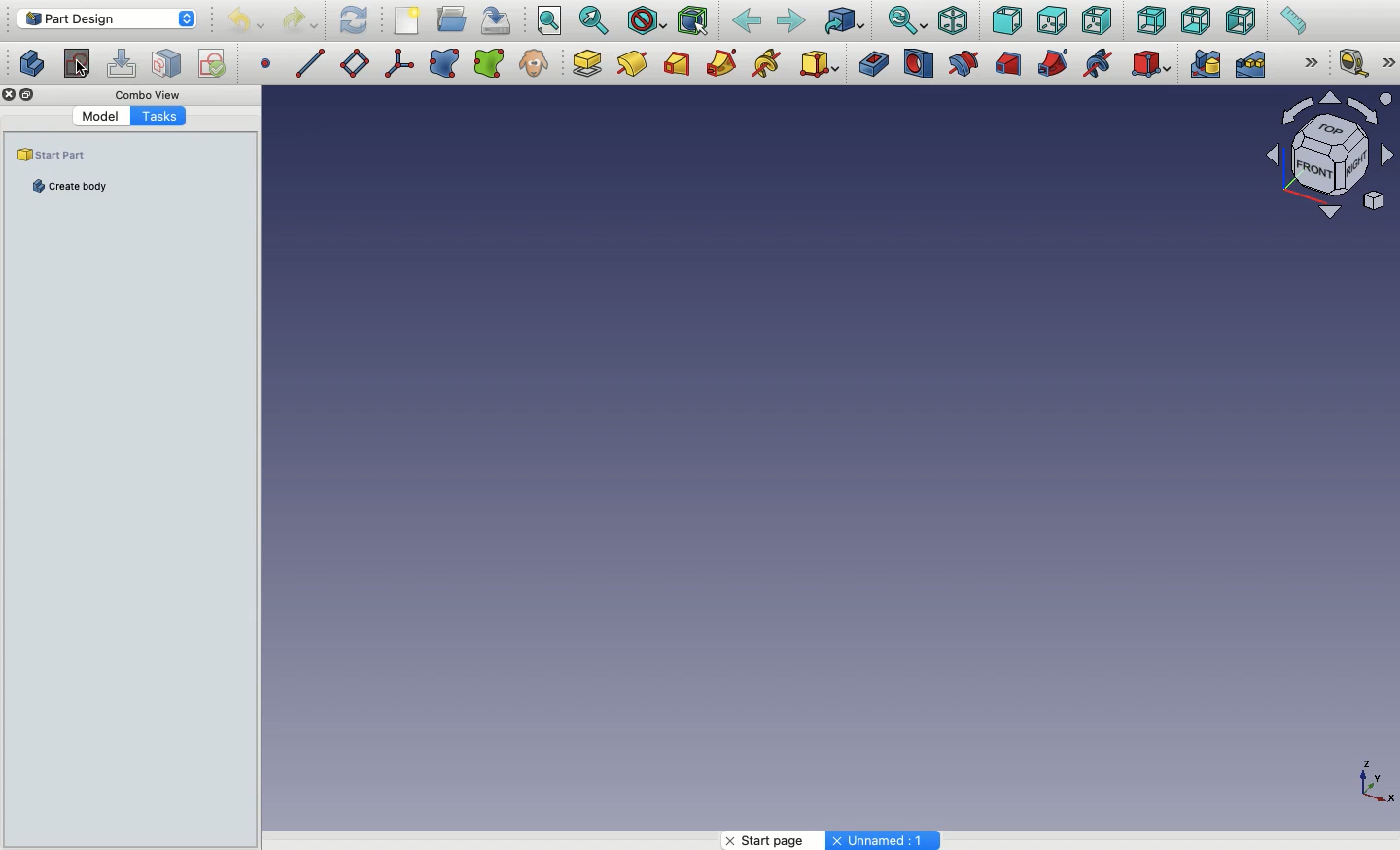 The width and height of the screenshot is (1400, 850). I want to click on Local coordinate system, so click(400, 65).